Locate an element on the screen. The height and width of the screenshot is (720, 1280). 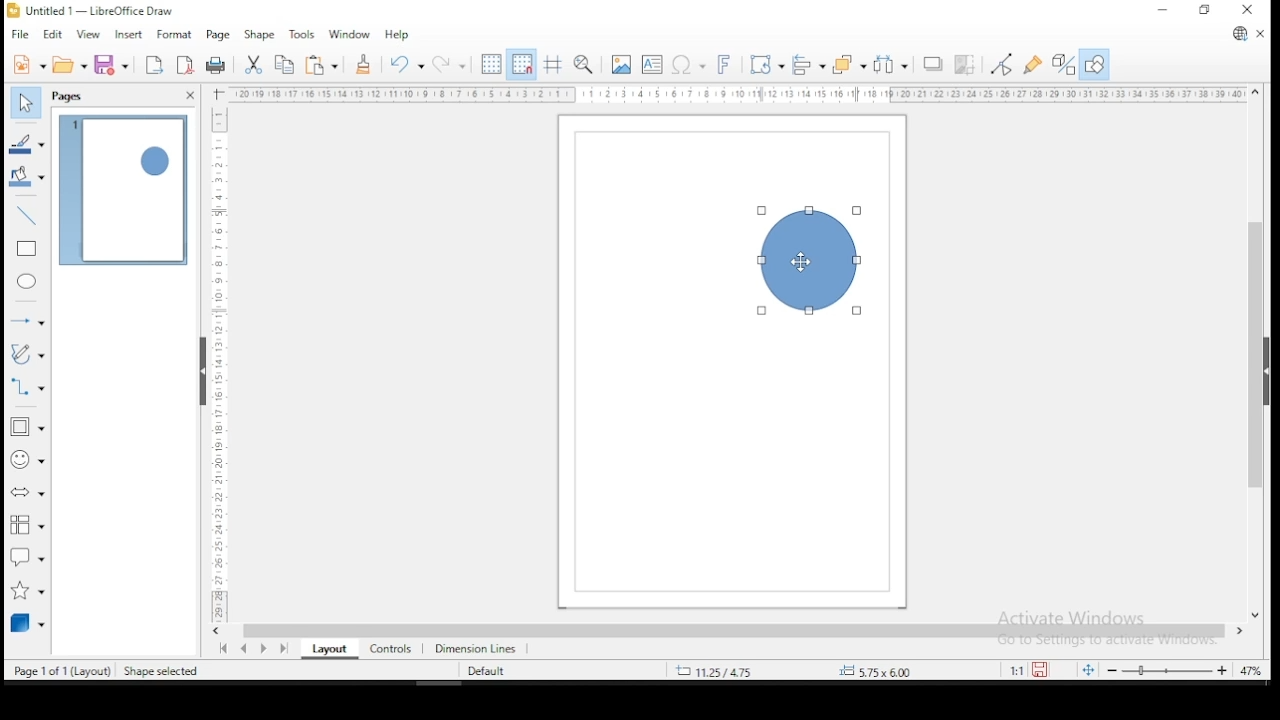
fill color is located at coordinates (28, 176).